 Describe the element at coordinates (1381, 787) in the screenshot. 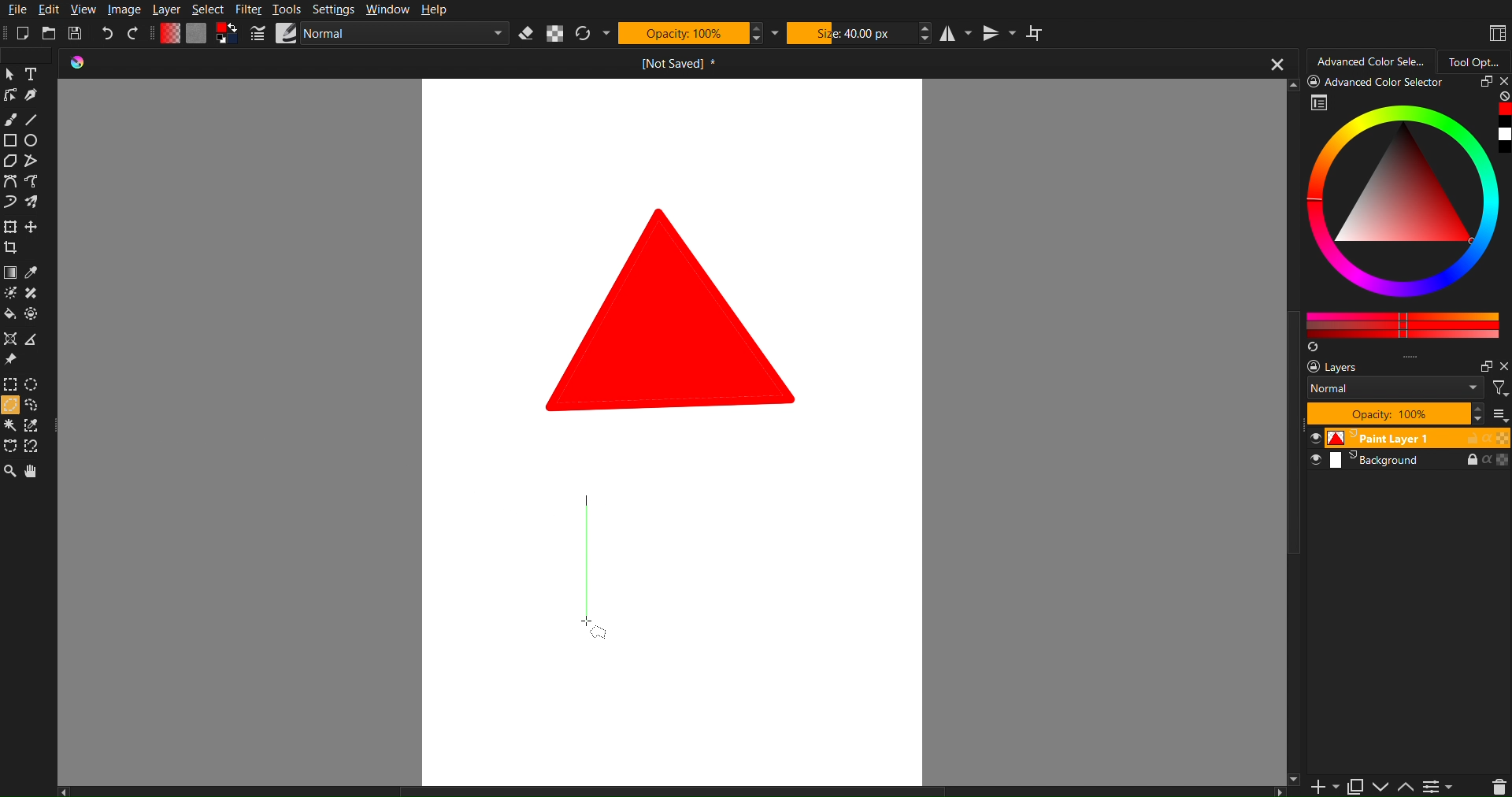

I see `Down` at that location.